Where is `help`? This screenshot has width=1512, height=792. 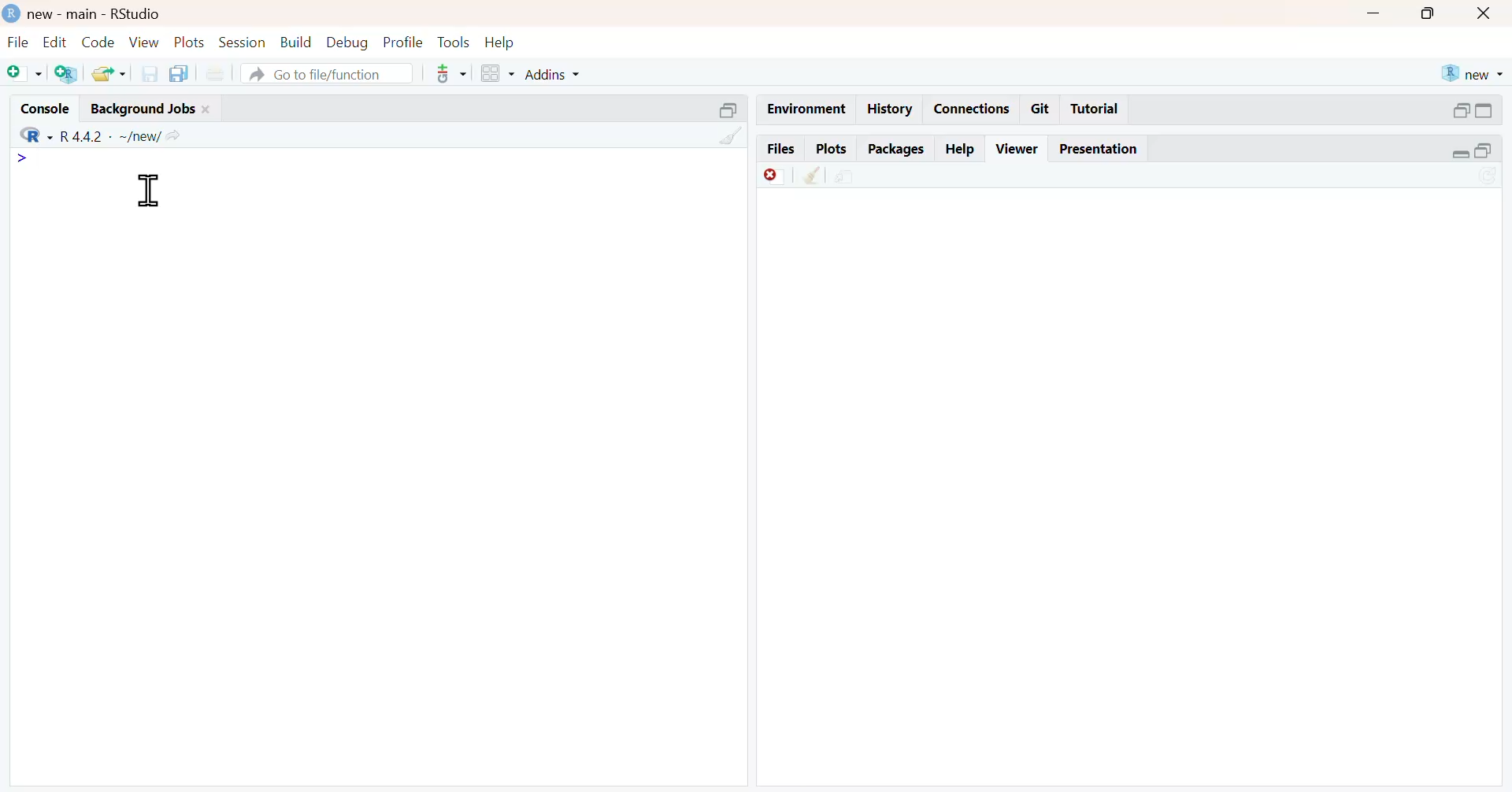 help is located at coordinates (961, 146).